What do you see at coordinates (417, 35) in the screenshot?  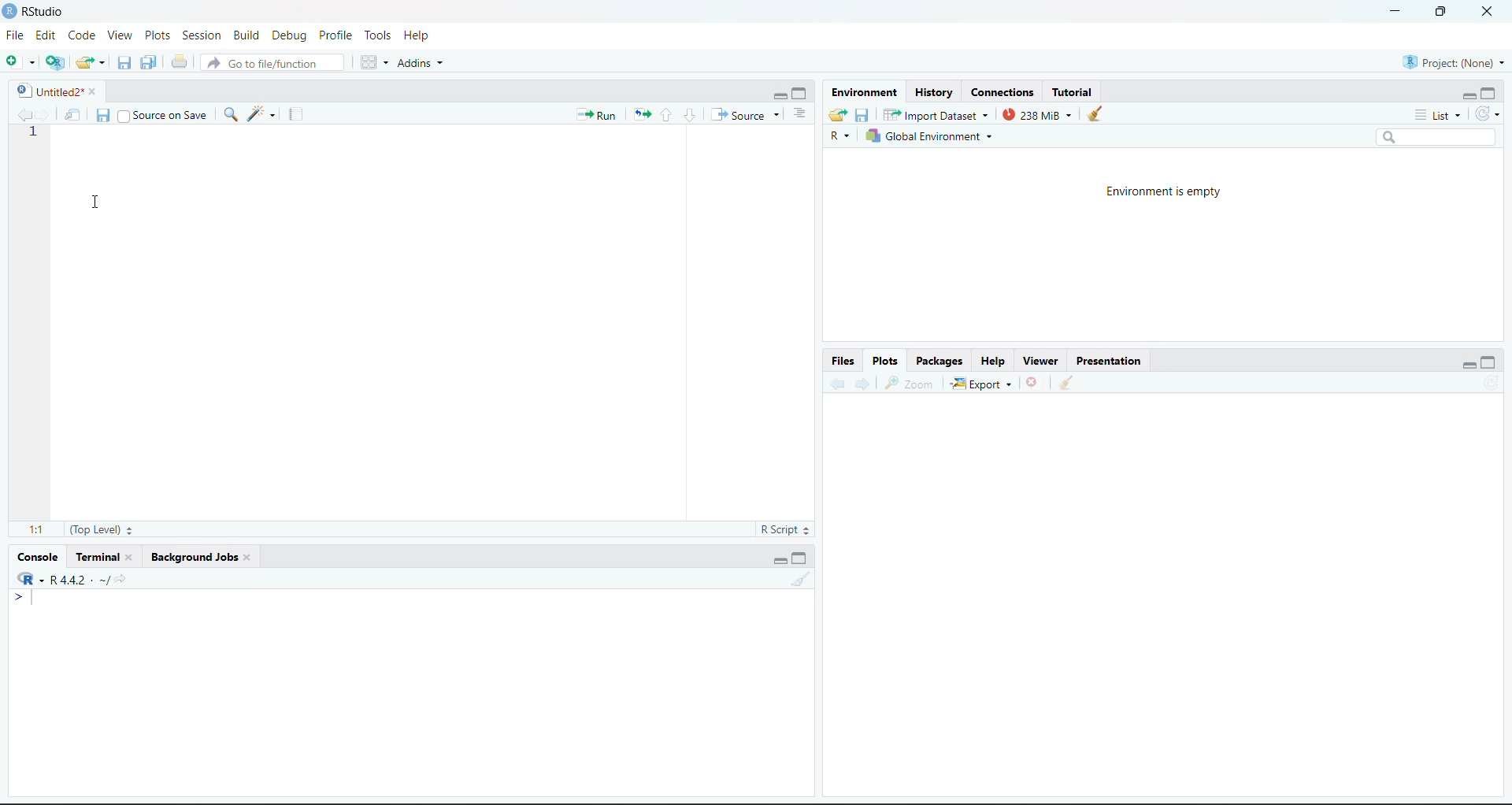 I see `Help` at bounding box center [417, 35].